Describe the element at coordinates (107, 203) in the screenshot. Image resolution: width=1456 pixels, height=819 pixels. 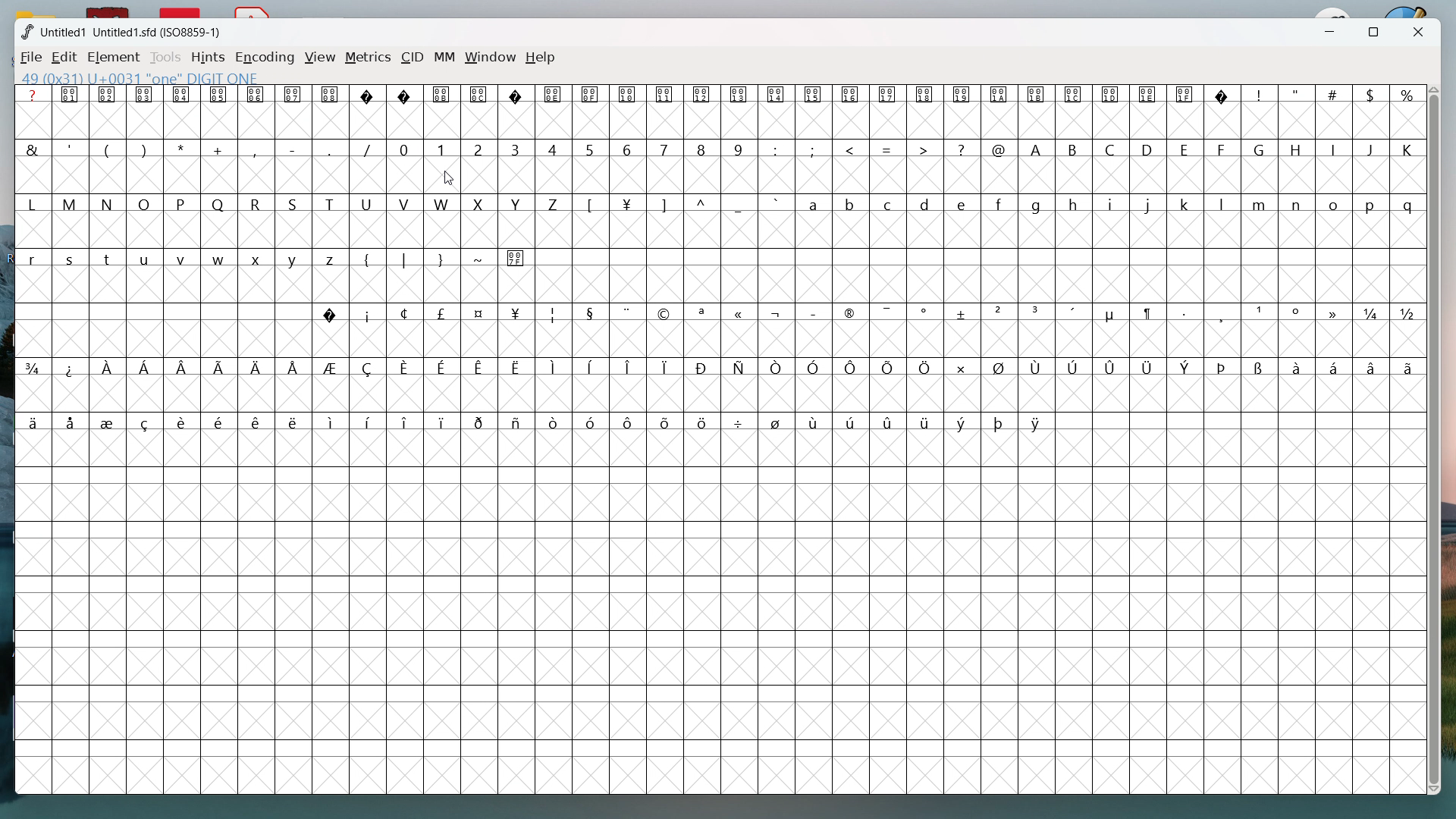
I see `N` at that location.